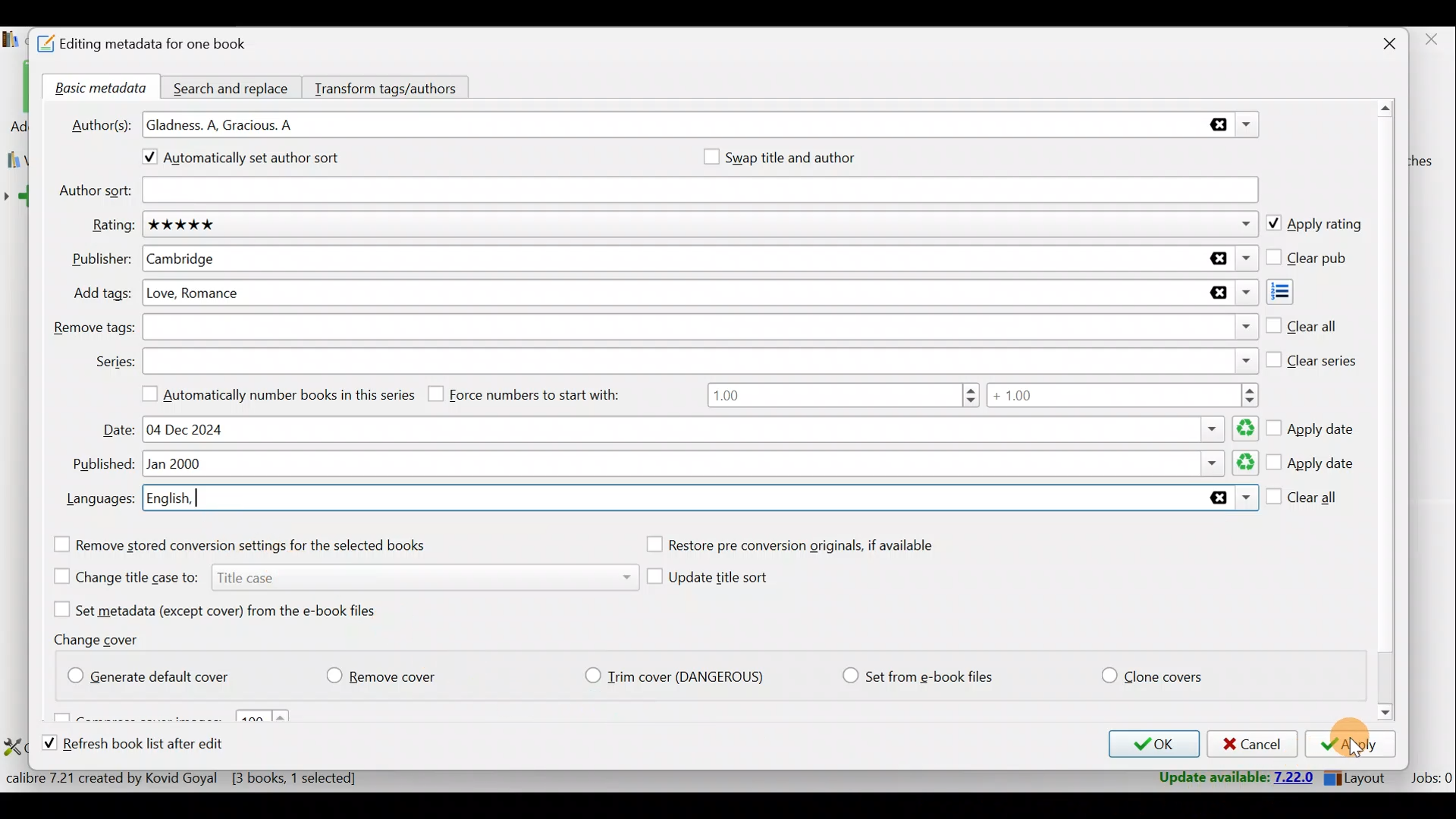  I want to click on Clear all, so click(1302, 323).